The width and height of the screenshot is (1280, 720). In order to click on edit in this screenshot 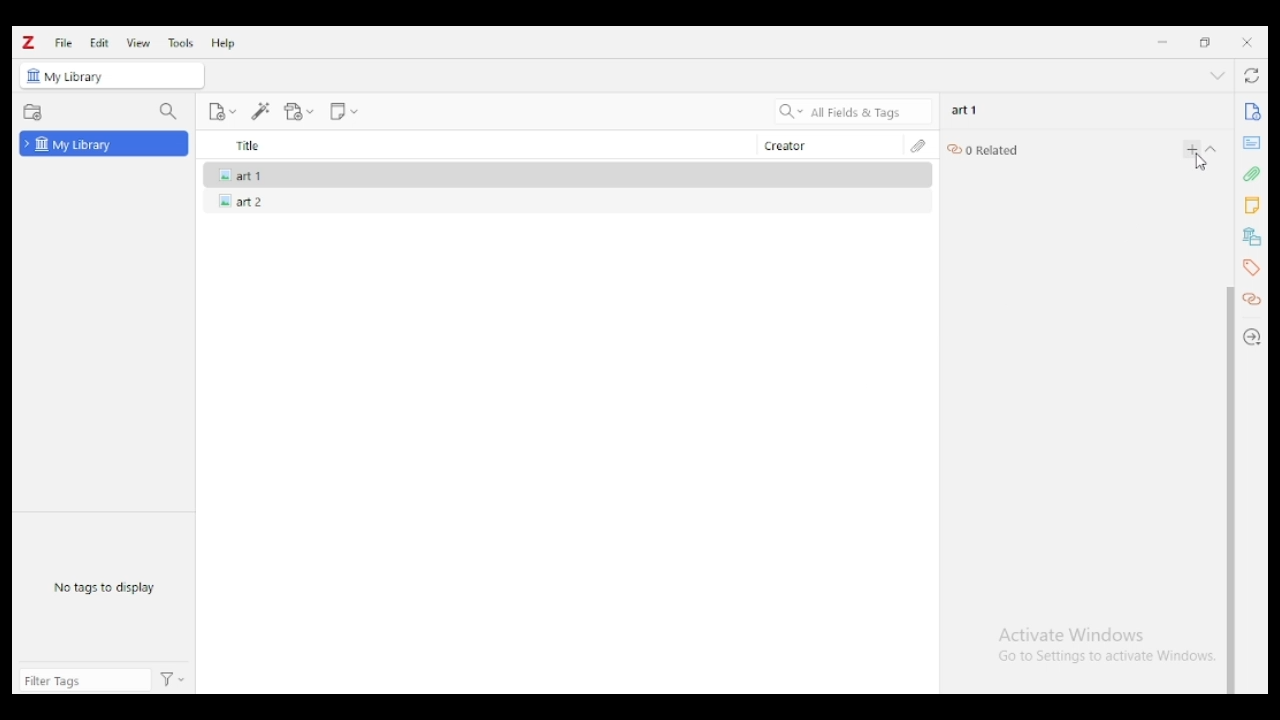, I will do `click(99, 42)`.